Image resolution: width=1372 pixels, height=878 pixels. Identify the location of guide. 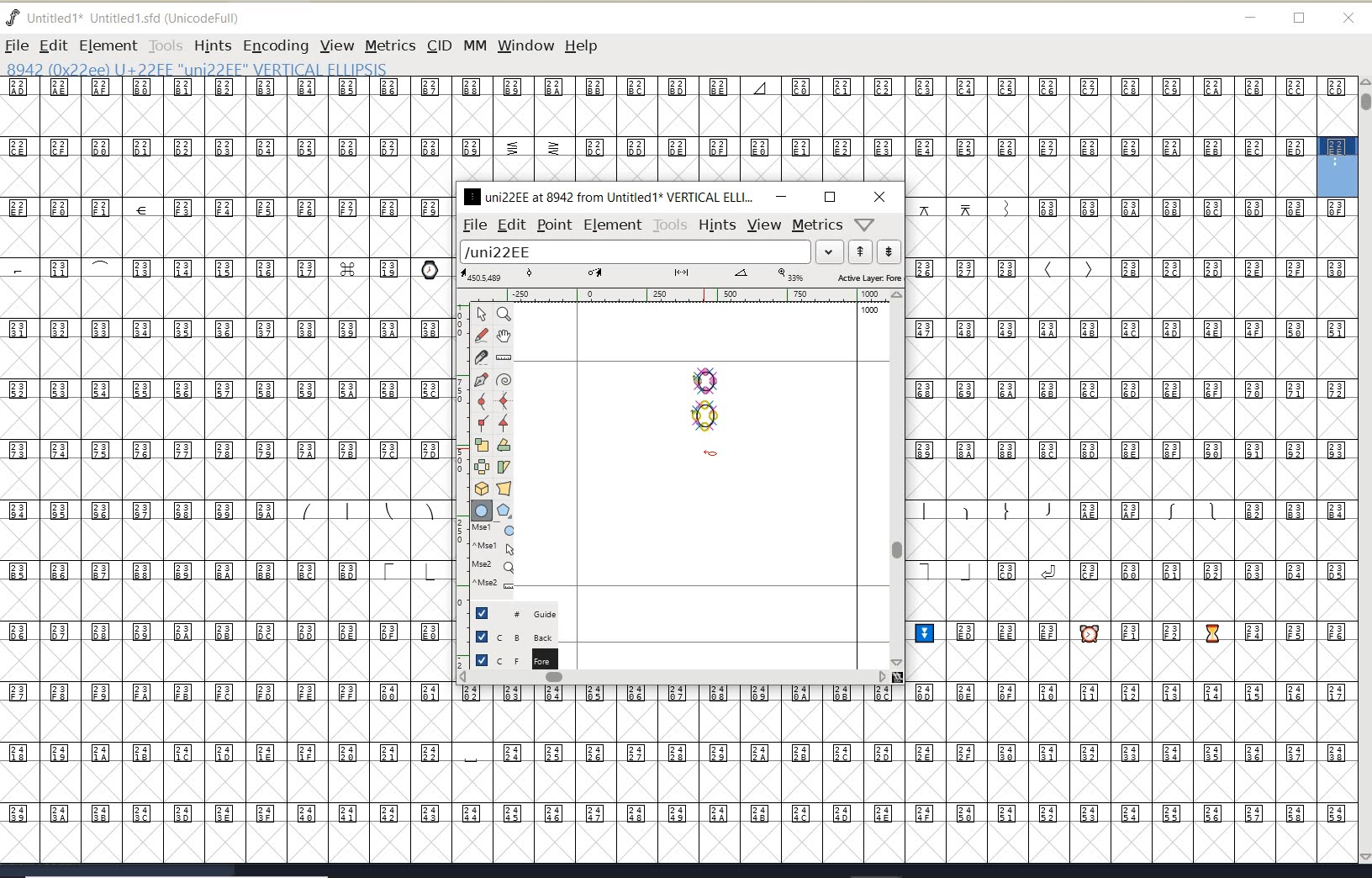
(522, 611).